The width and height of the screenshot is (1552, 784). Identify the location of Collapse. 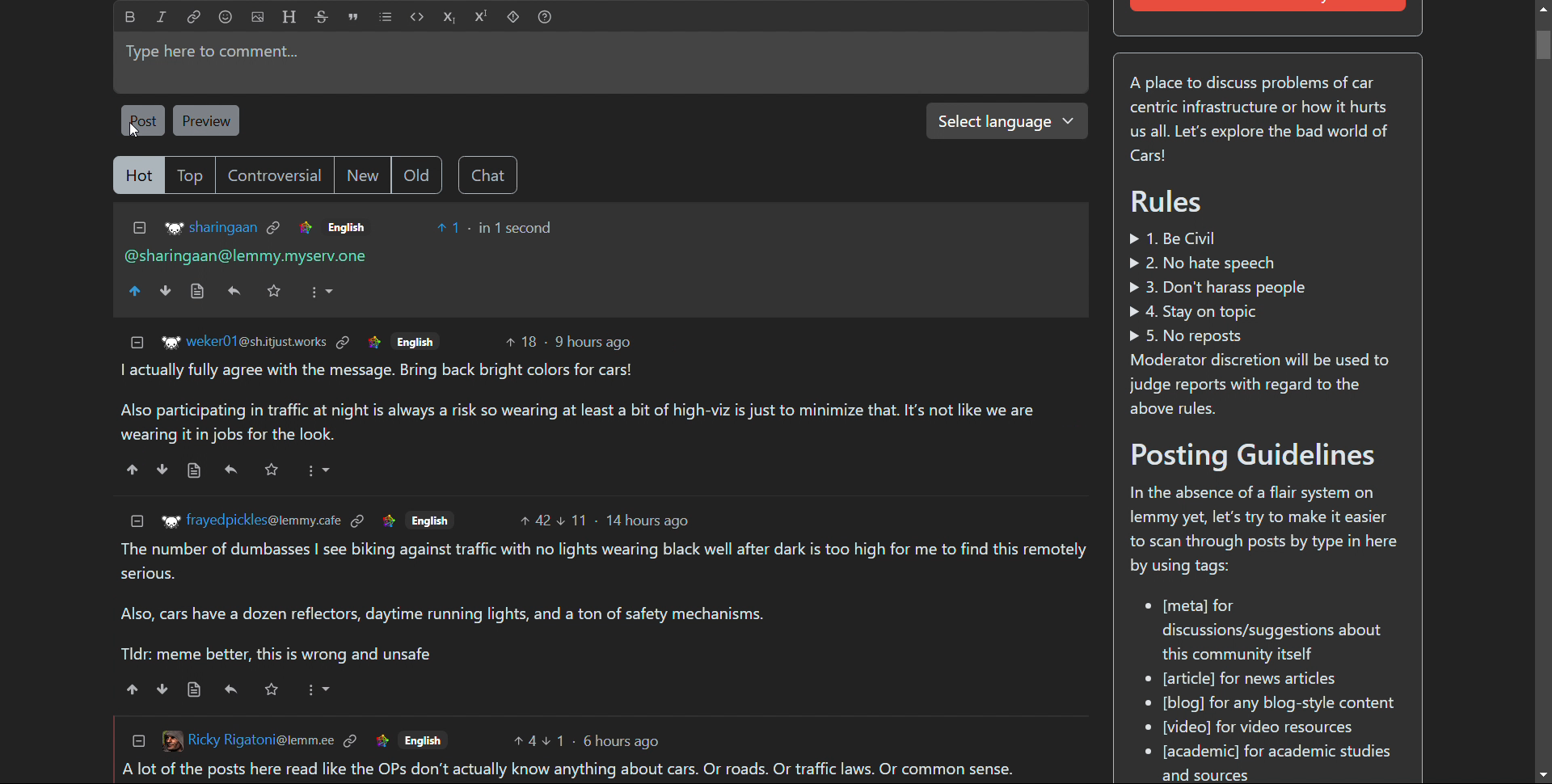
(137, 741).